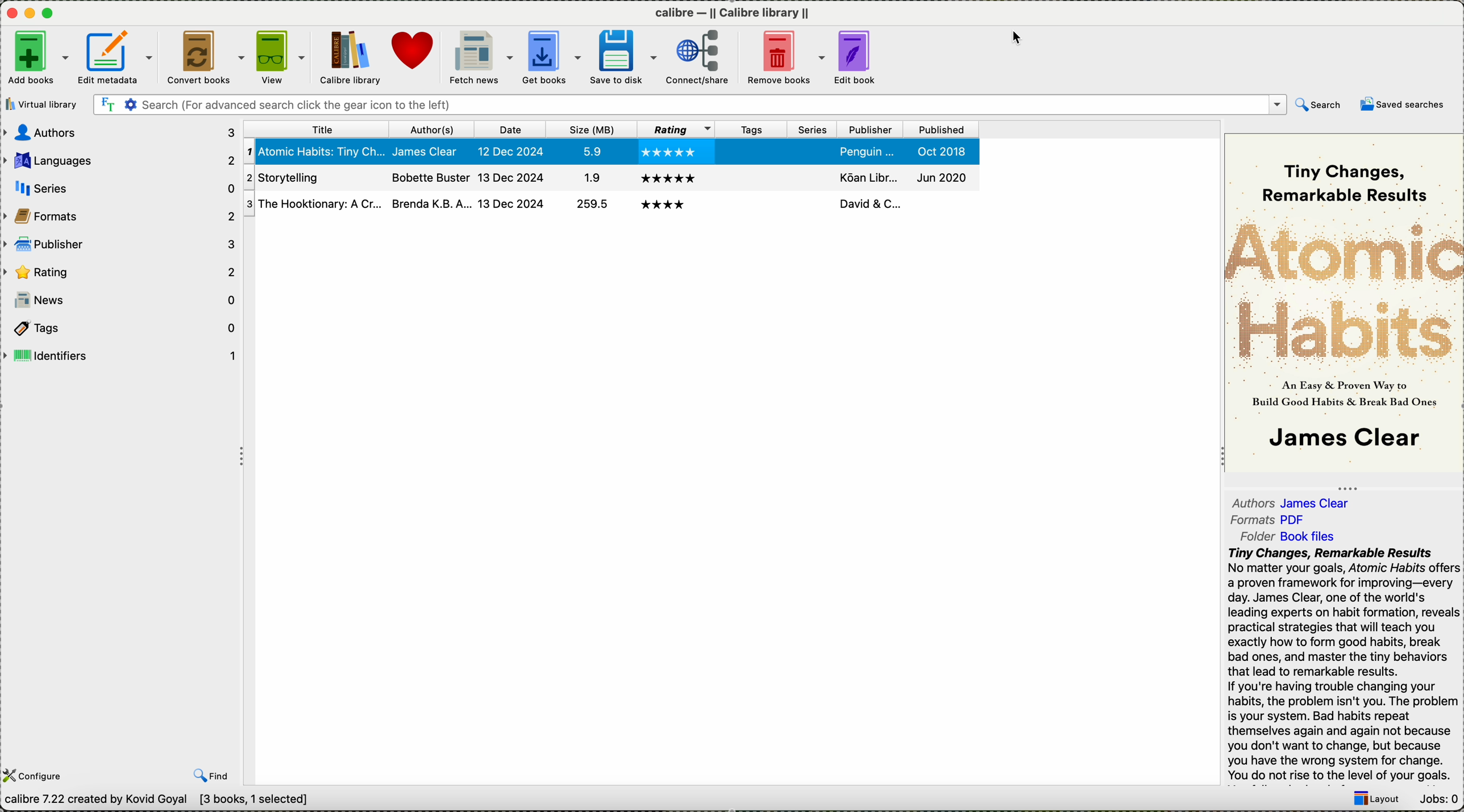  Describe the element at coordinates (868, 203) in the screenshot. I see `koan libr...` at that location.